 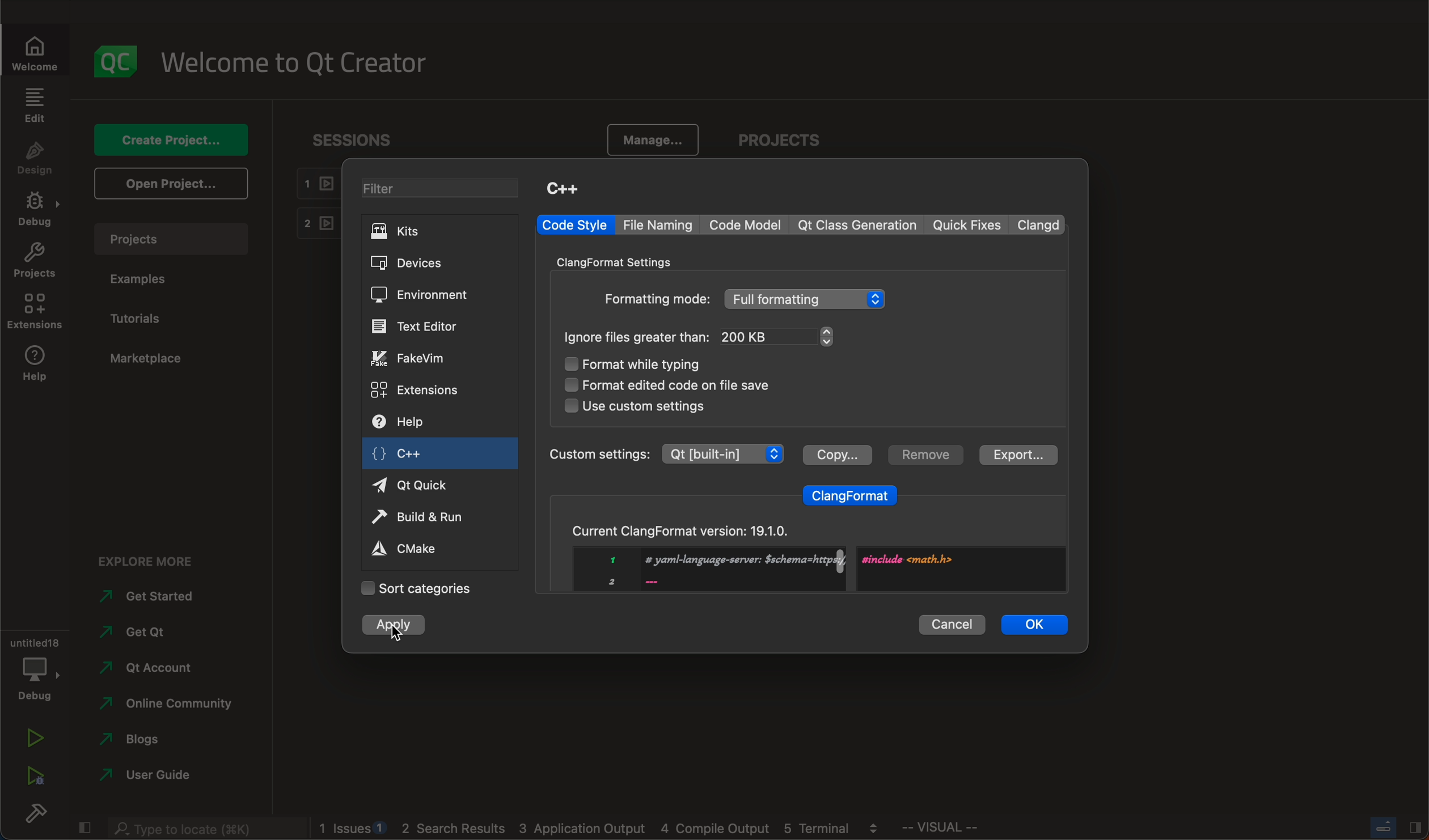 What do you see at coordinates (143, 637) in the screenshot?
I see `qt` at bounding box center [143, 637].